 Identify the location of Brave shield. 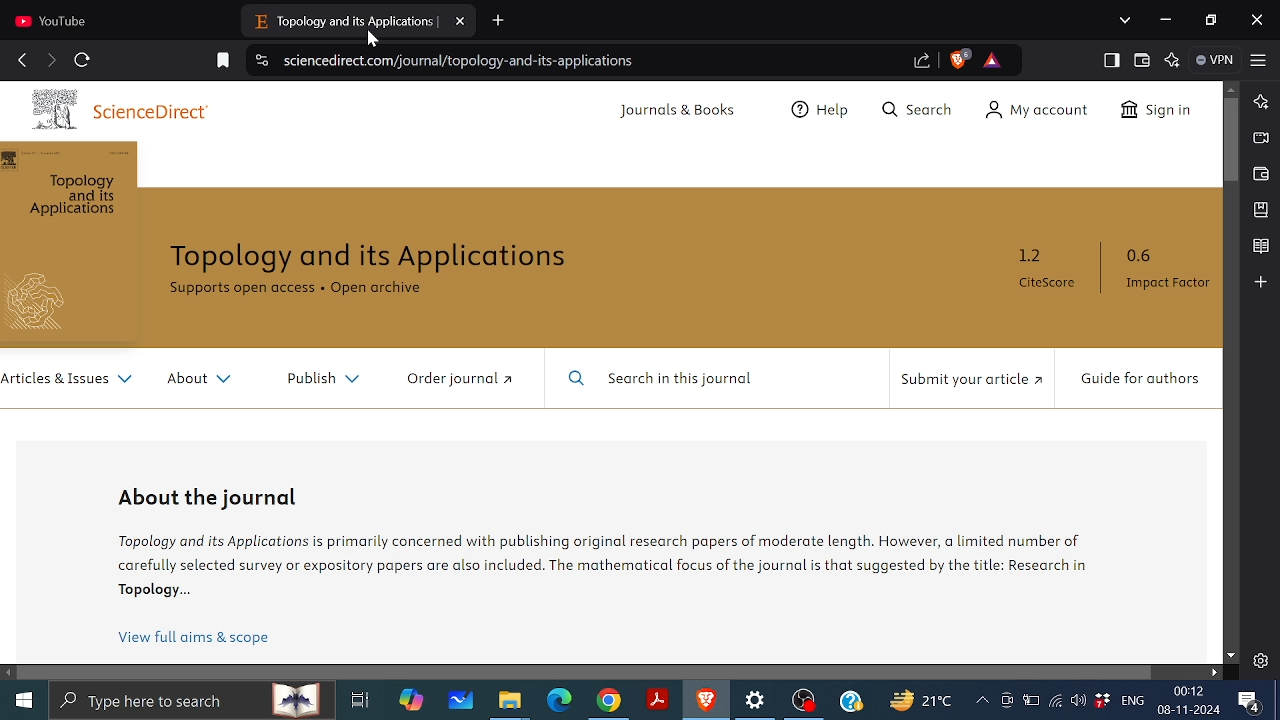
(959, 59).